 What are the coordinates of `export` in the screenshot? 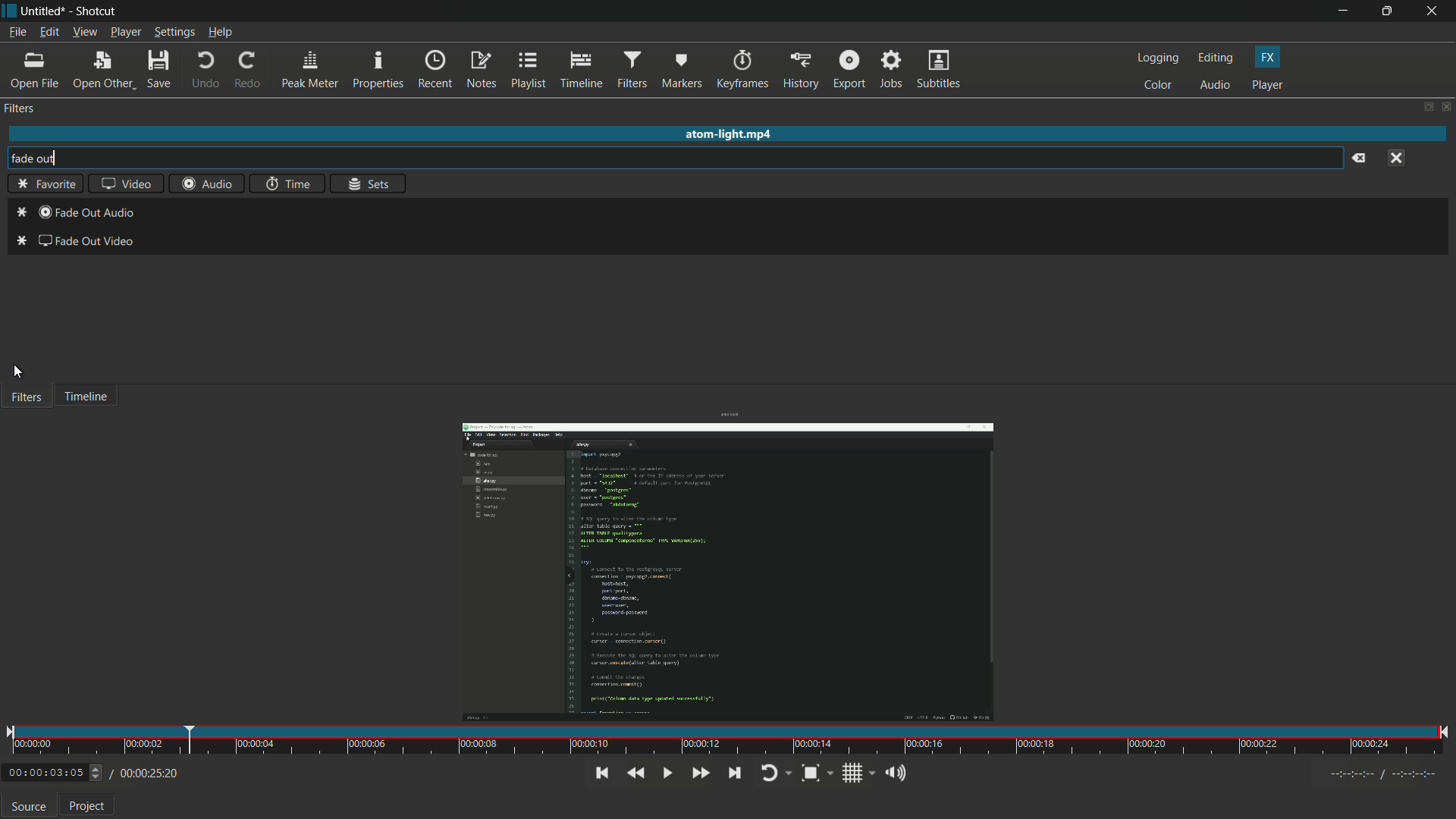 It's located at (849, 68).